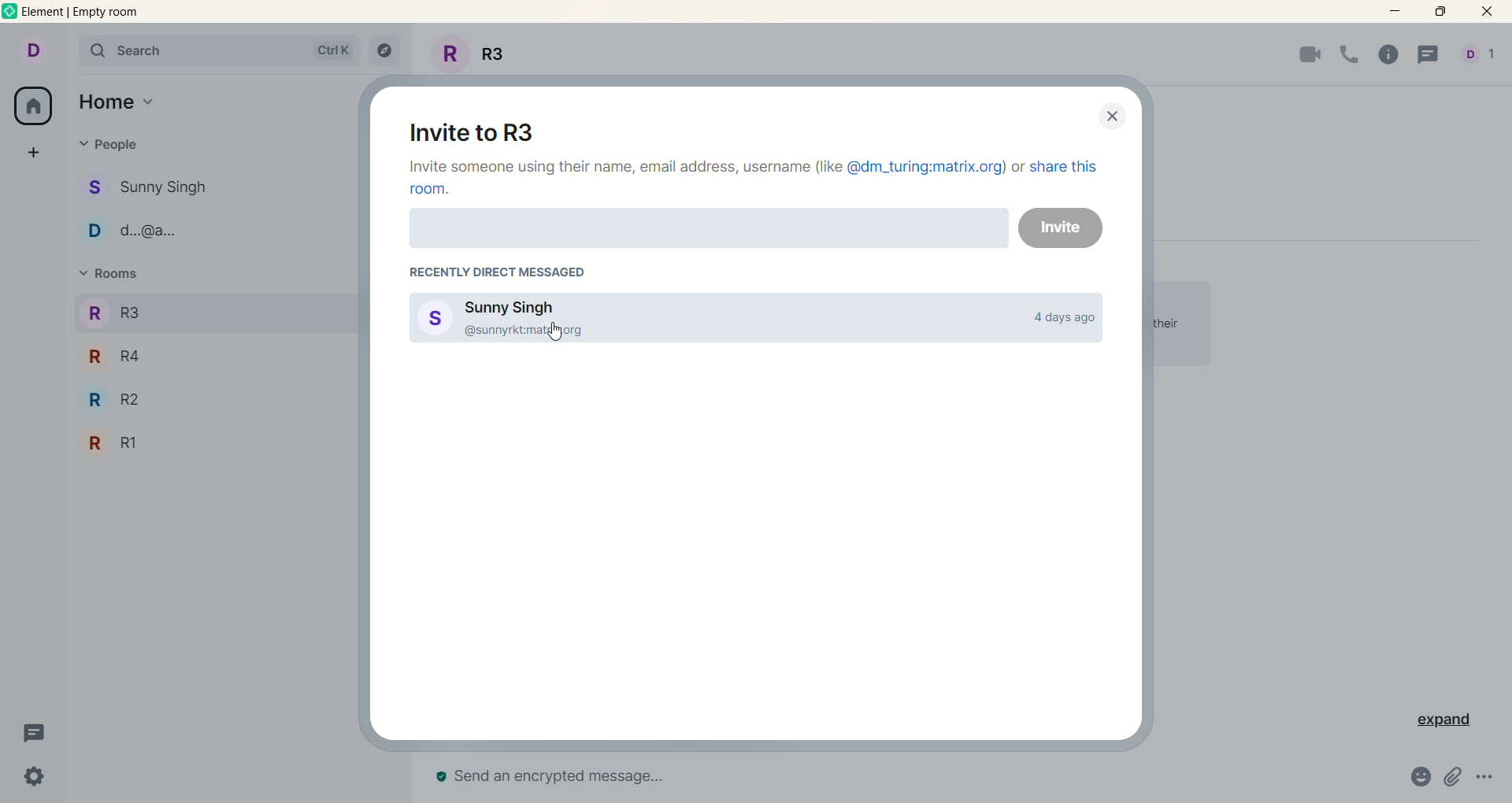 Image resolution: width=1512 pixels, height=803 pixels. Describe the element at coordinates (37, 776) in the screenshot. I see `settings` at that location.